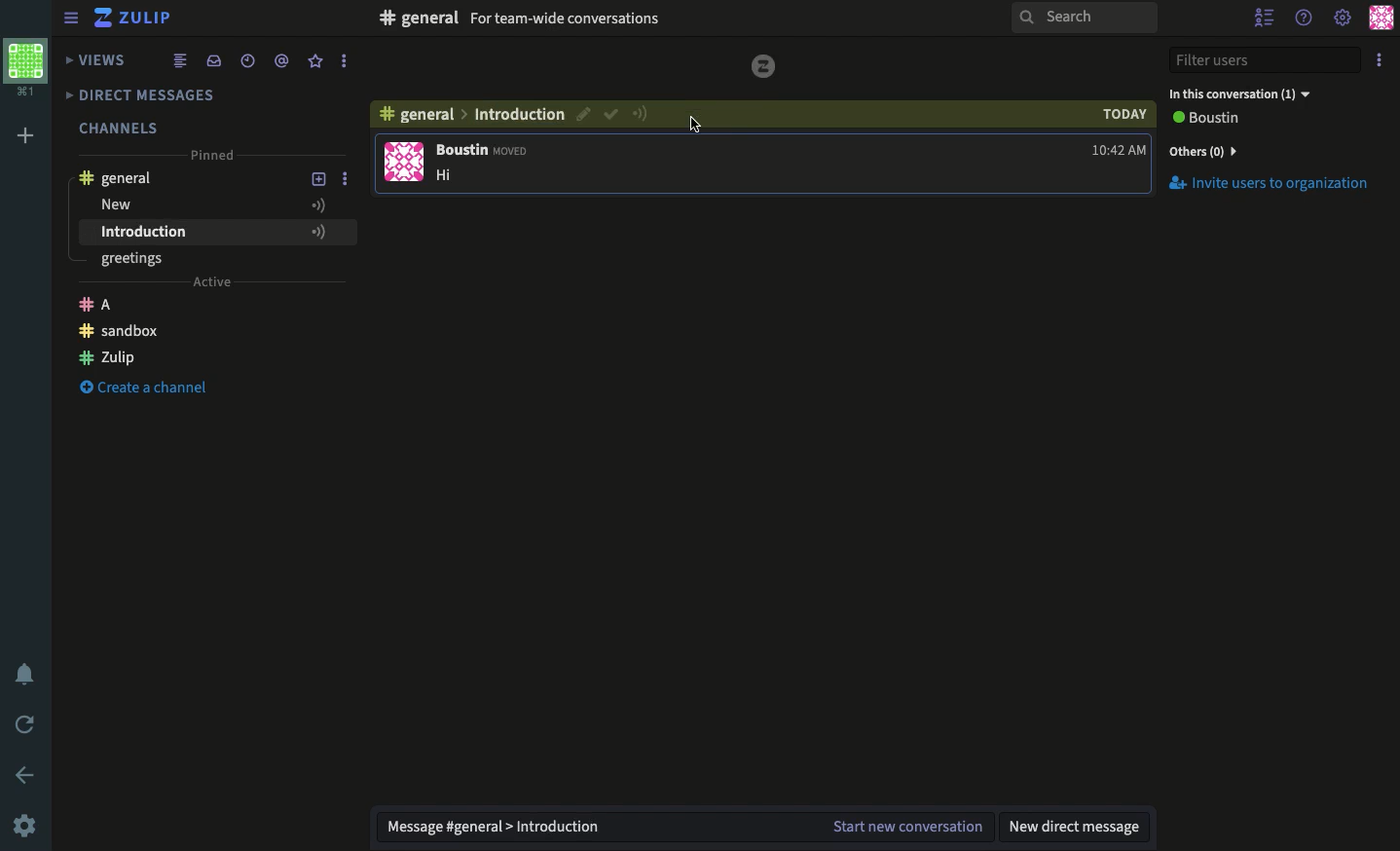  What do you see at coordinates (352, 180) in the screenshot?
I see `More Options` at bounding box center [352, 180].